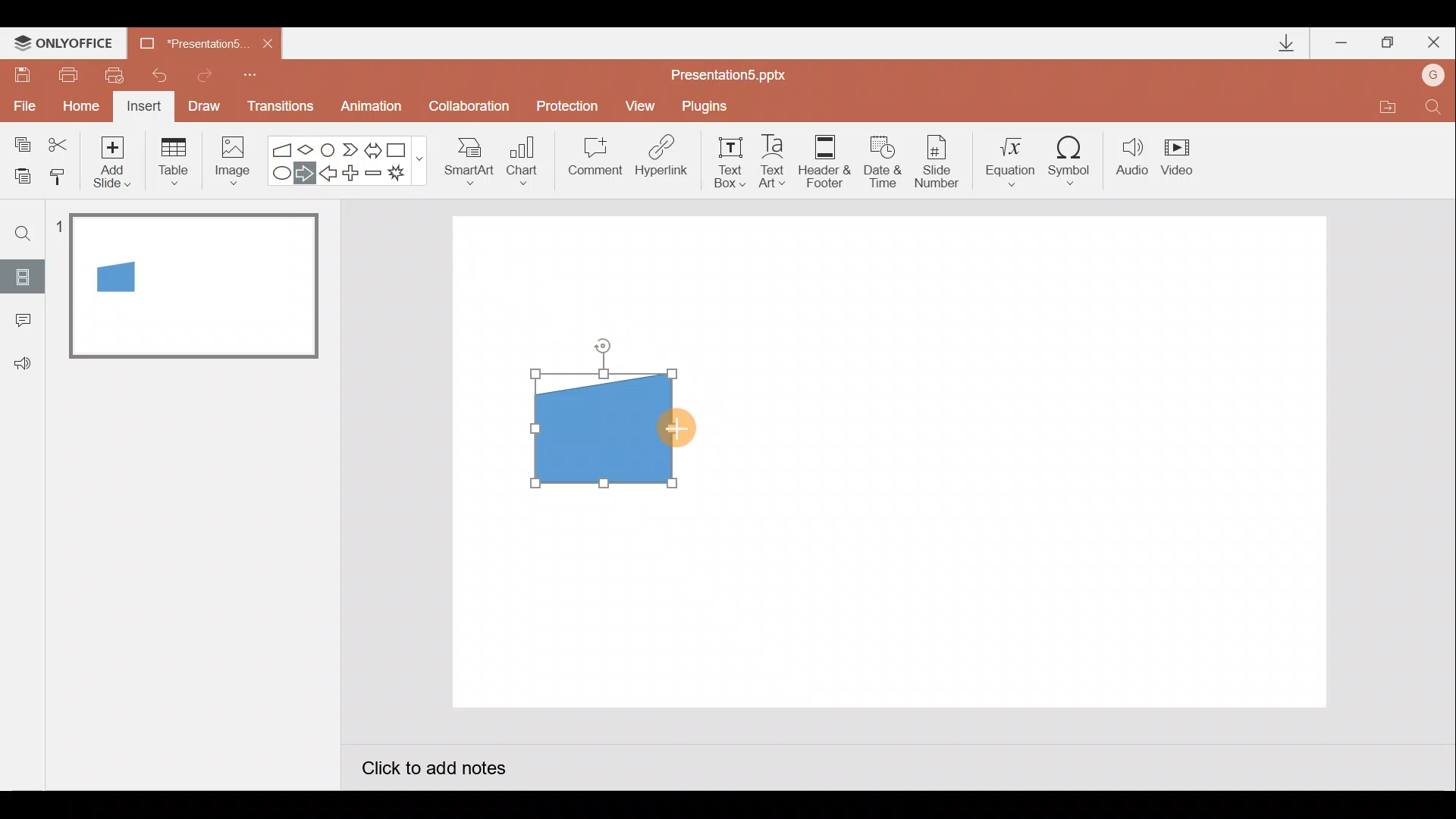 The width and height of the screenshot is (1456, 819). I want to click on Collaboration, so click(472, 108).